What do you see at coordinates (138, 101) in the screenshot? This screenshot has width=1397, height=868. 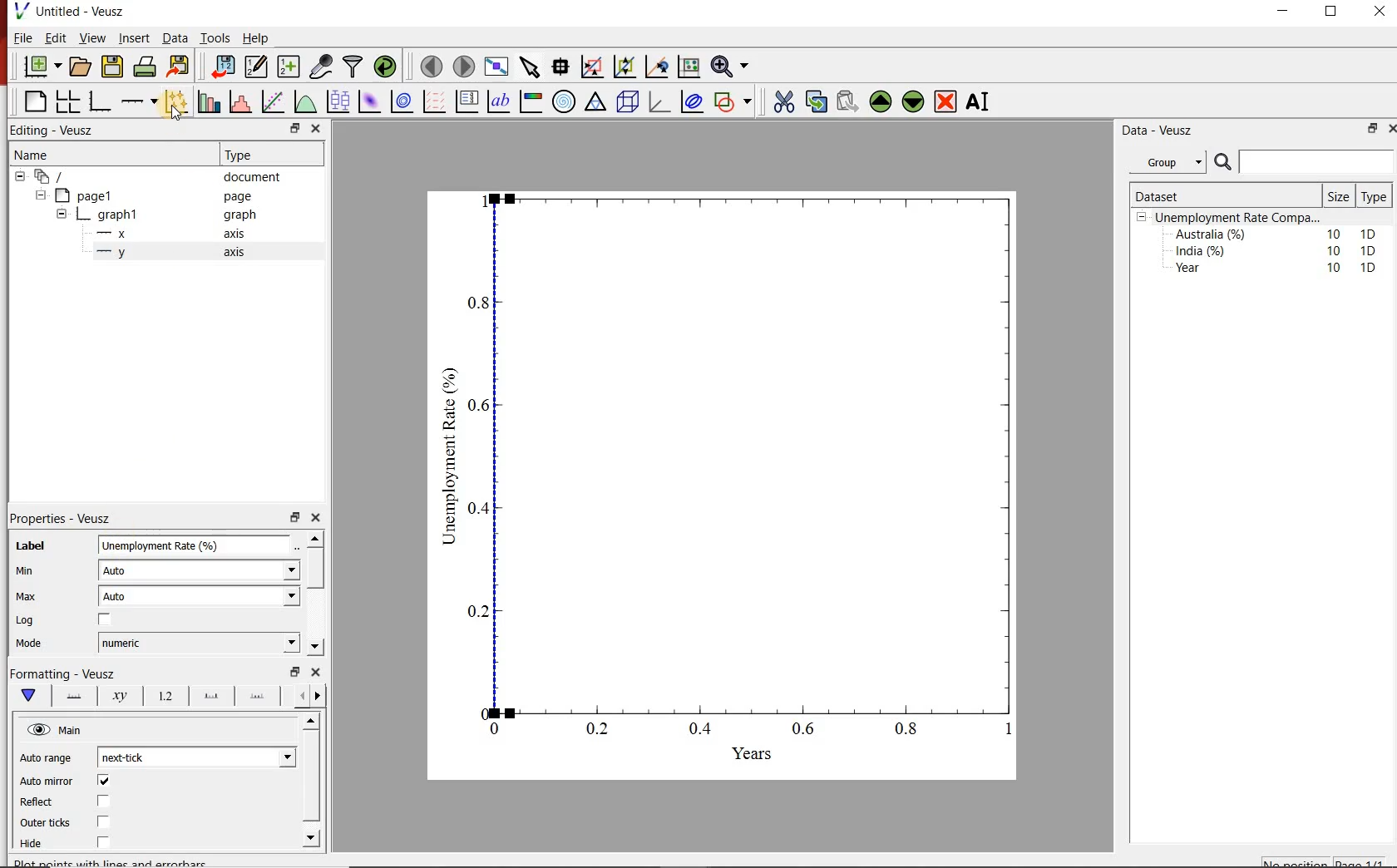 I see `add an axis` at bounding box center [138, 101].